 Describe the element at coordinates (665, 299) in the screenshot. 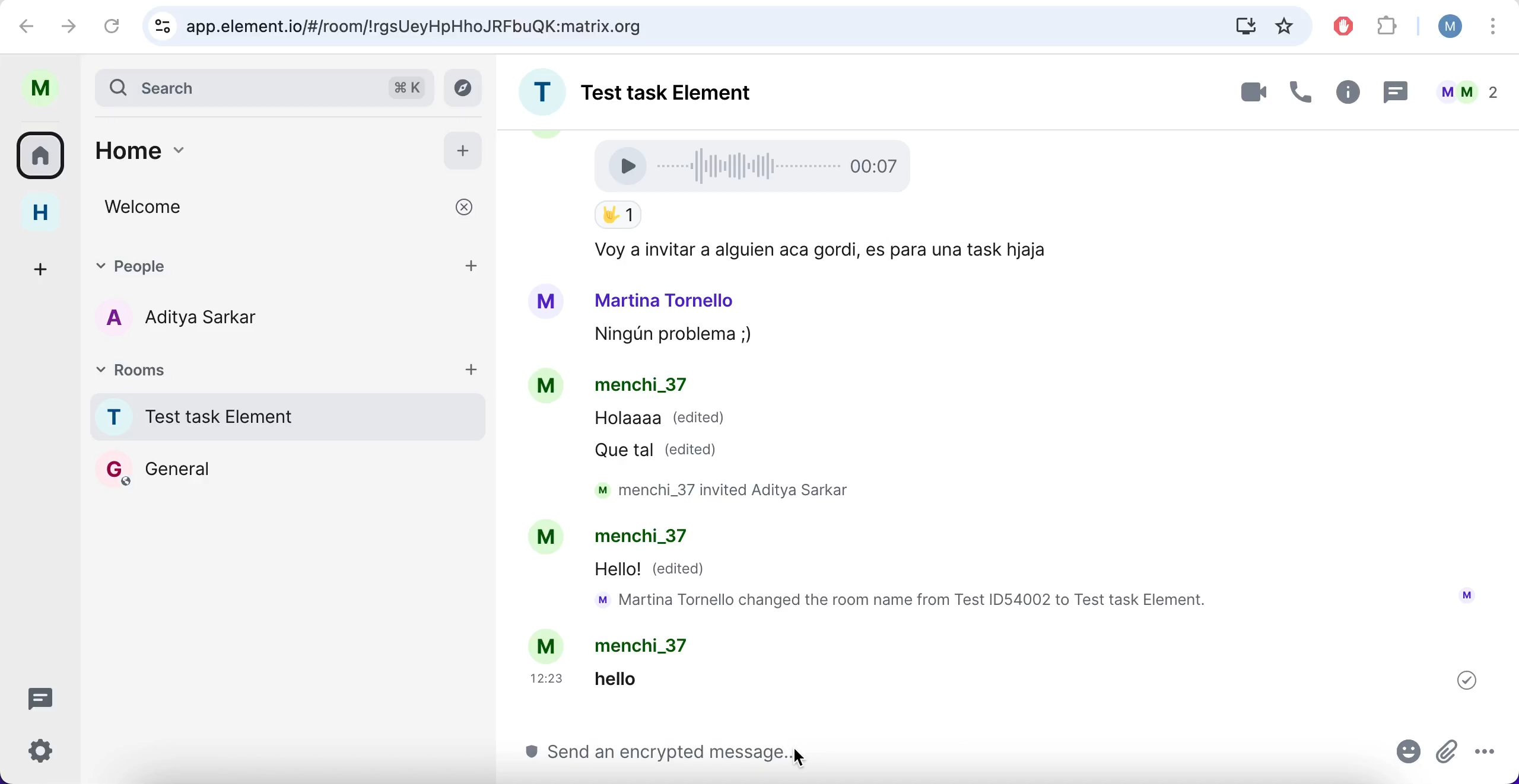

I see `Martina Tornello` at that location.